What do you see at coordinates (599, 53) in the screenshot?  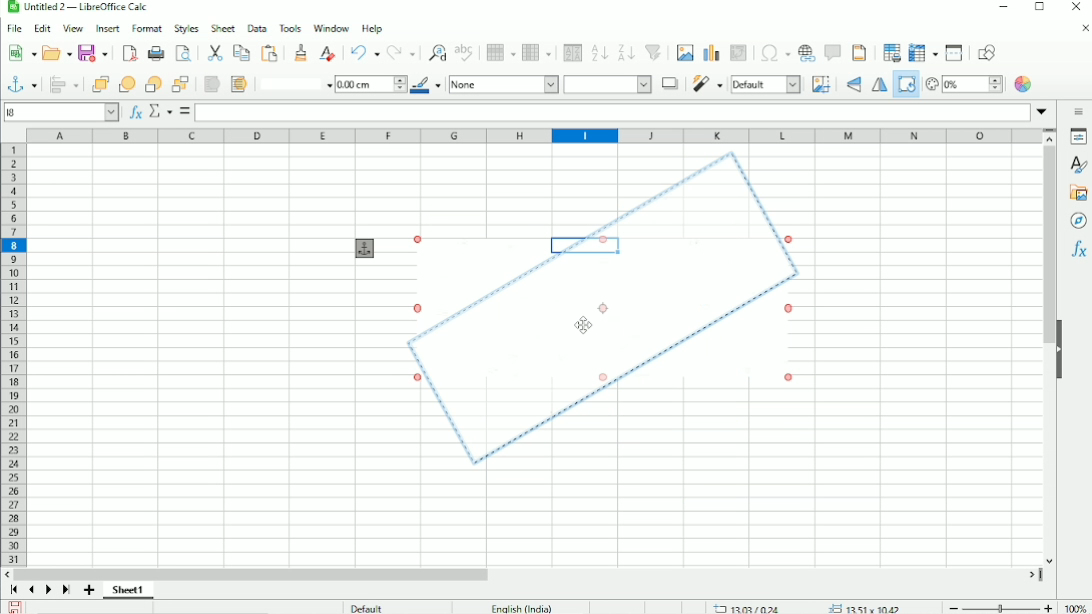 I see `Sort ascending` at bounding box center [599, 53].